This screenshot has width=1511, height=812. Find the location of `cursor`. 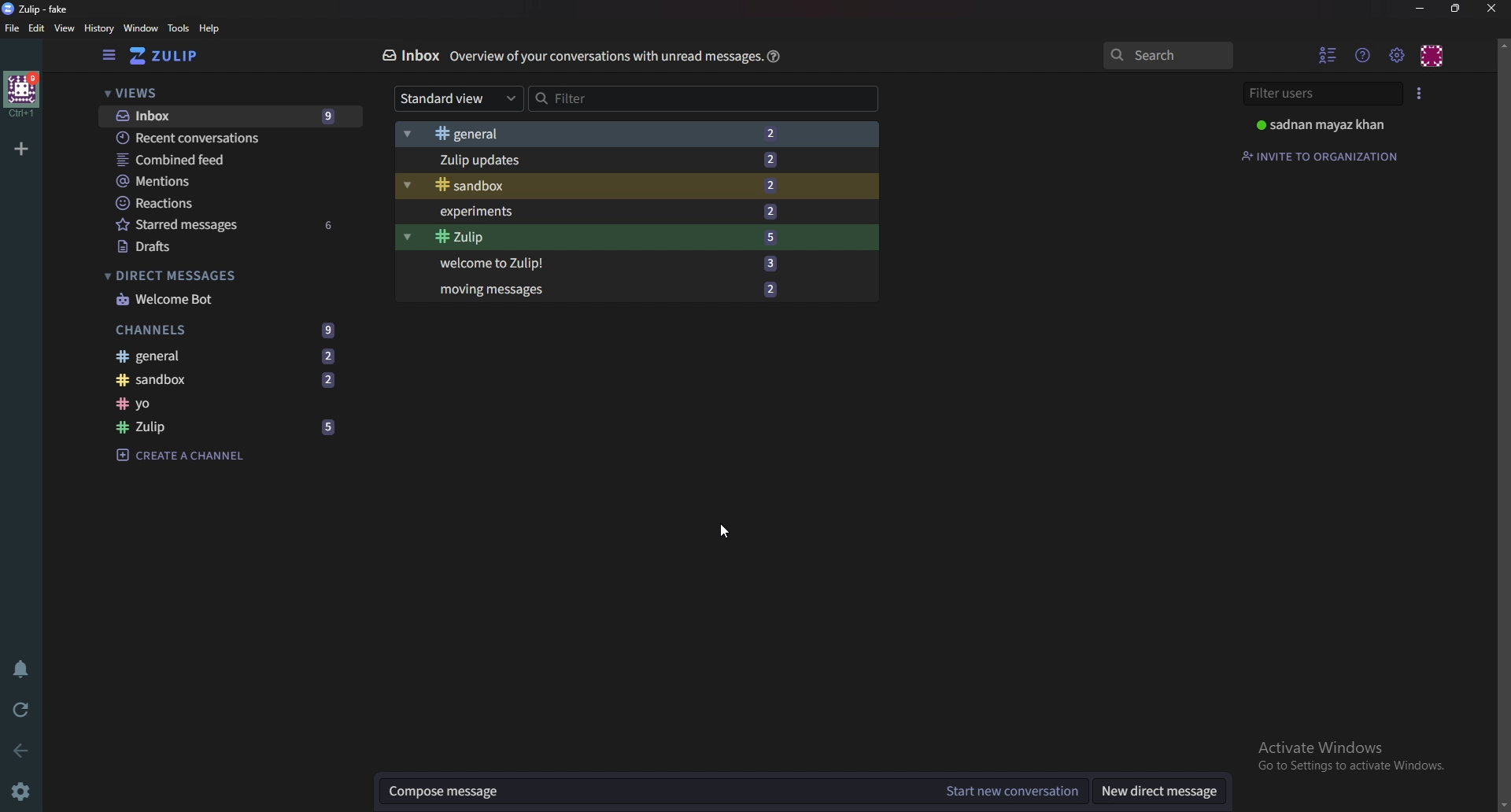

cursor is located at coordinates (723, 531).